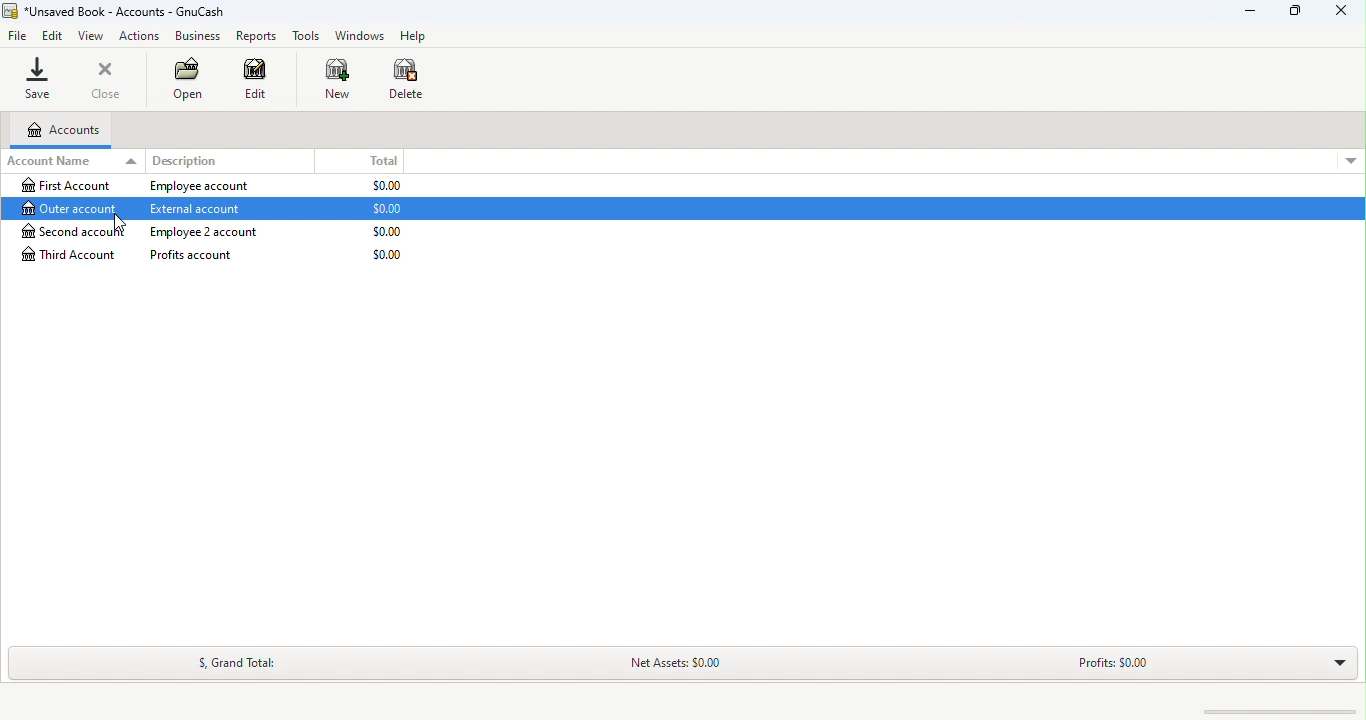  Describe the element at coordinates (1346, 158) in the screenshot. I see `more options` at that location.